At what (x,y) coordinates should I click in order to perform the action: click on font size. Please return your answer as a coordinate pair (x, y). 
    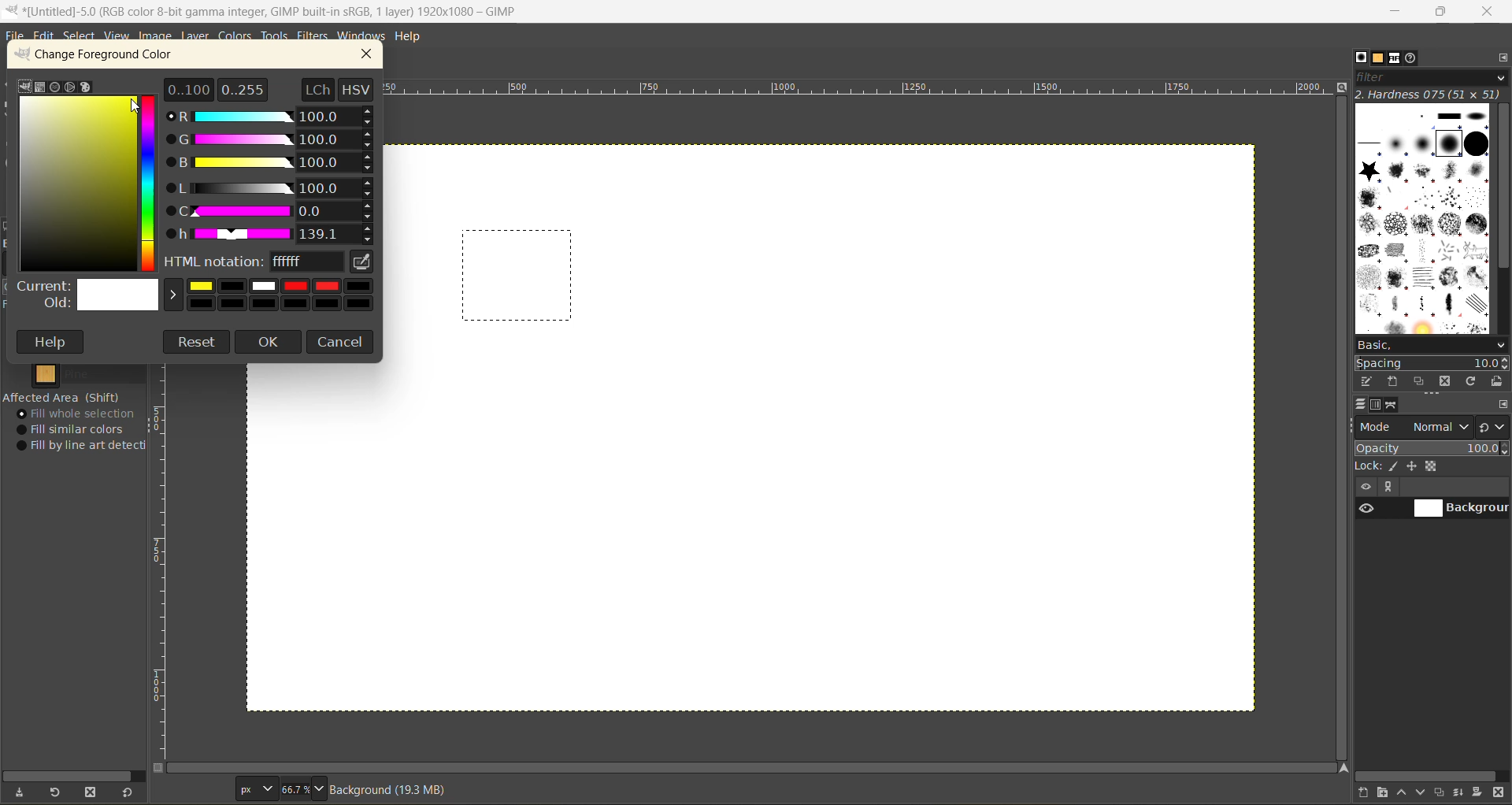
    Looking at the image, I should click on (287, 788).